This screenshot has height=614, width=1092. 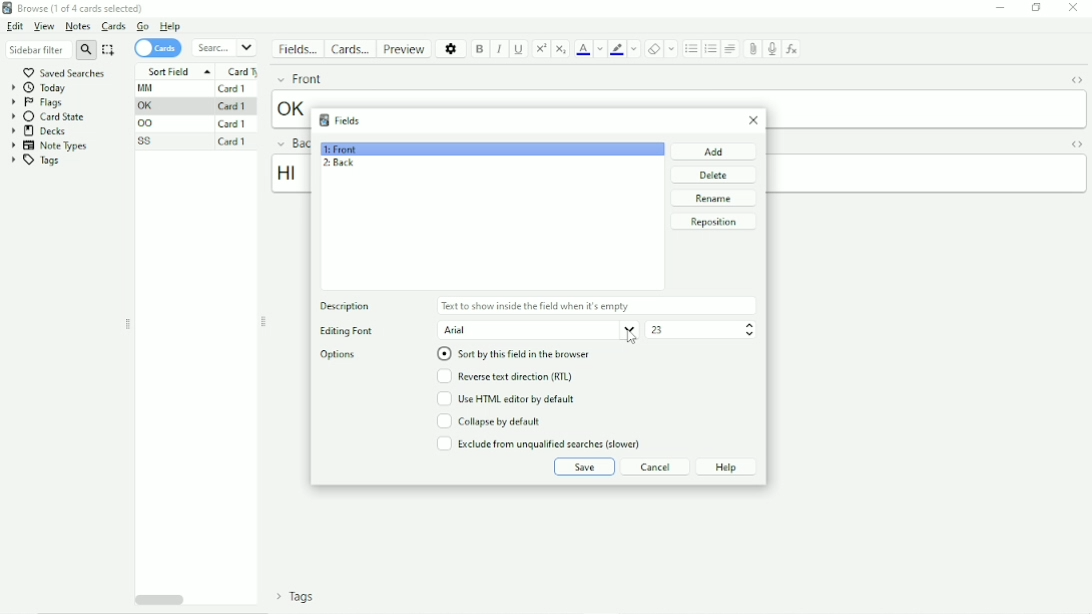 I want to click on Cards, so click(x=112, y=26).